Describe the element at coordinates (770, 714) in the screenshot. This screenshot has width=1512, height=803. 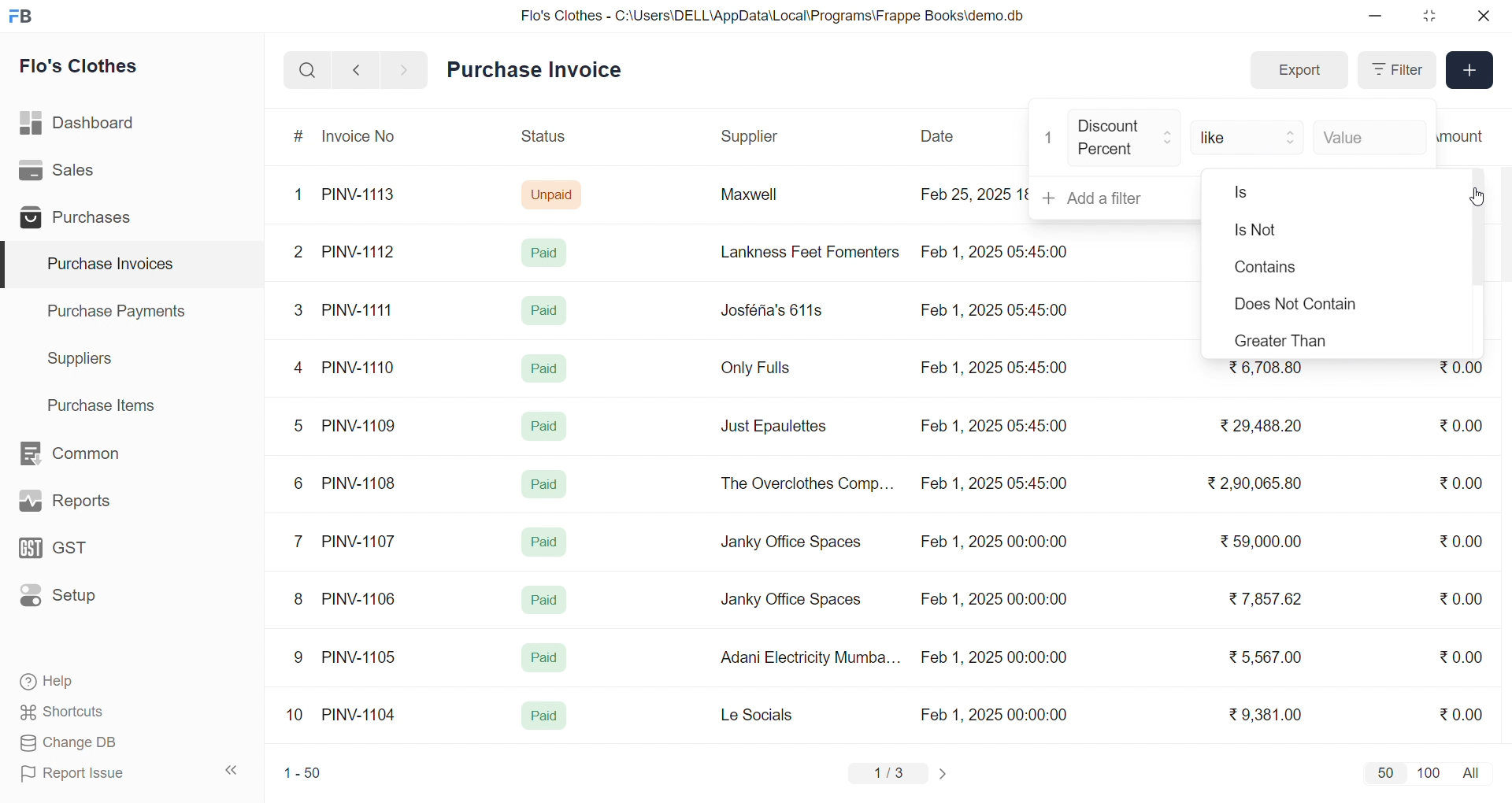
I see `Le Socials` at that location.